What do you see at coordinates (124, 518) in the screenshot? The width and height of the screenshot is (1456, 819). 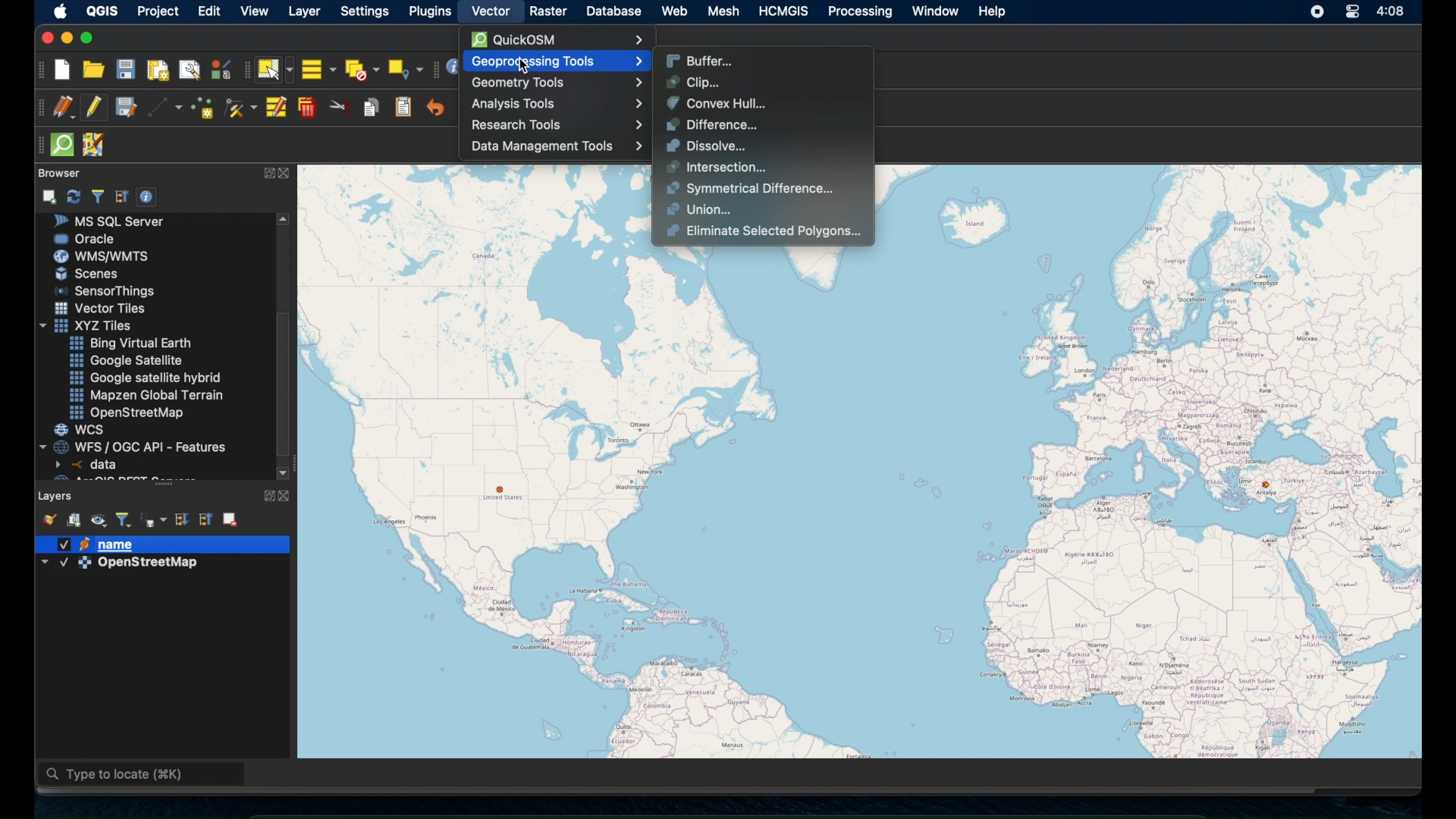 I see `filter legend` at bounding box center [124, 518].